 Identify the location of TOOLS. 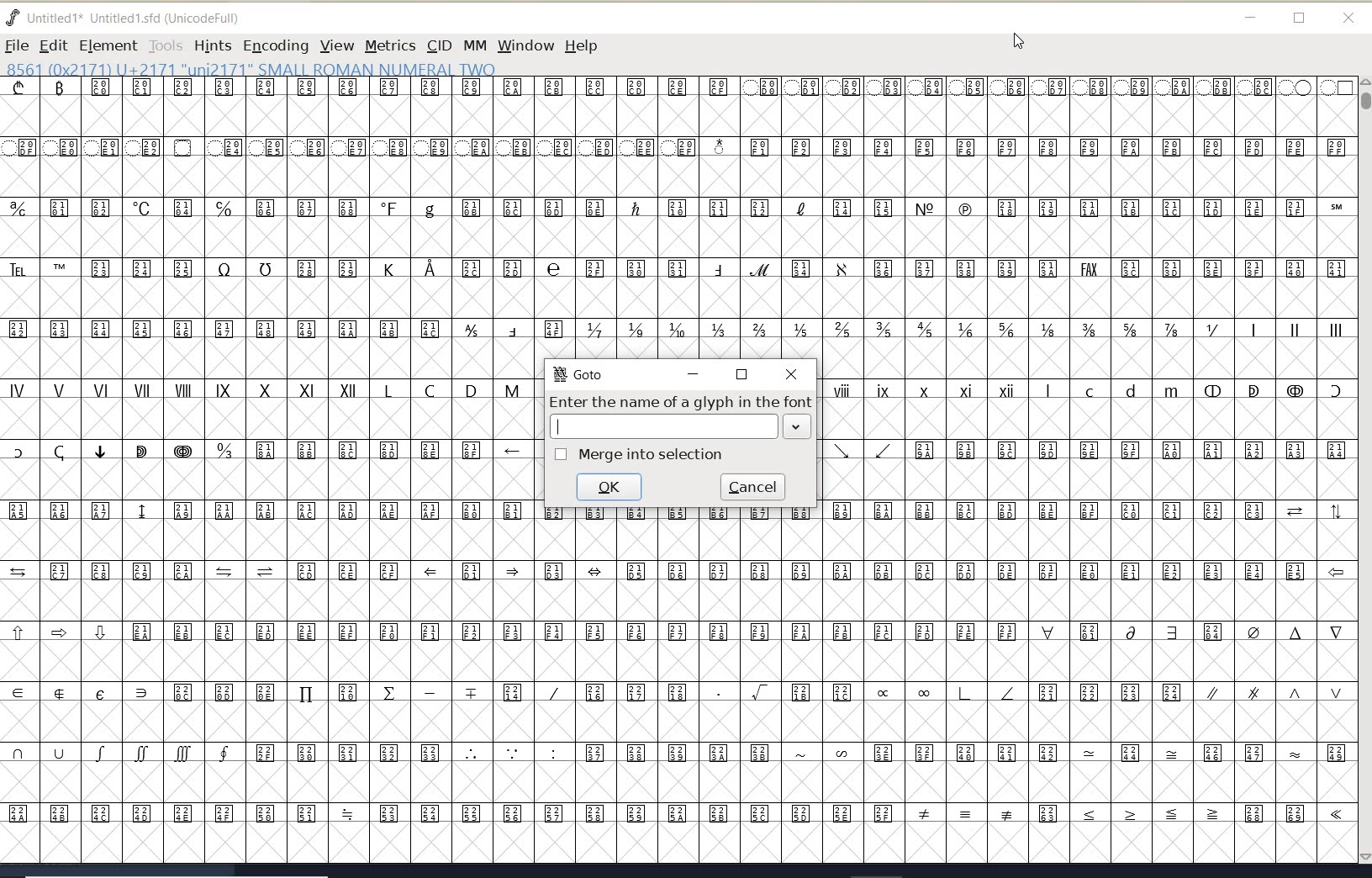
(165, 45).